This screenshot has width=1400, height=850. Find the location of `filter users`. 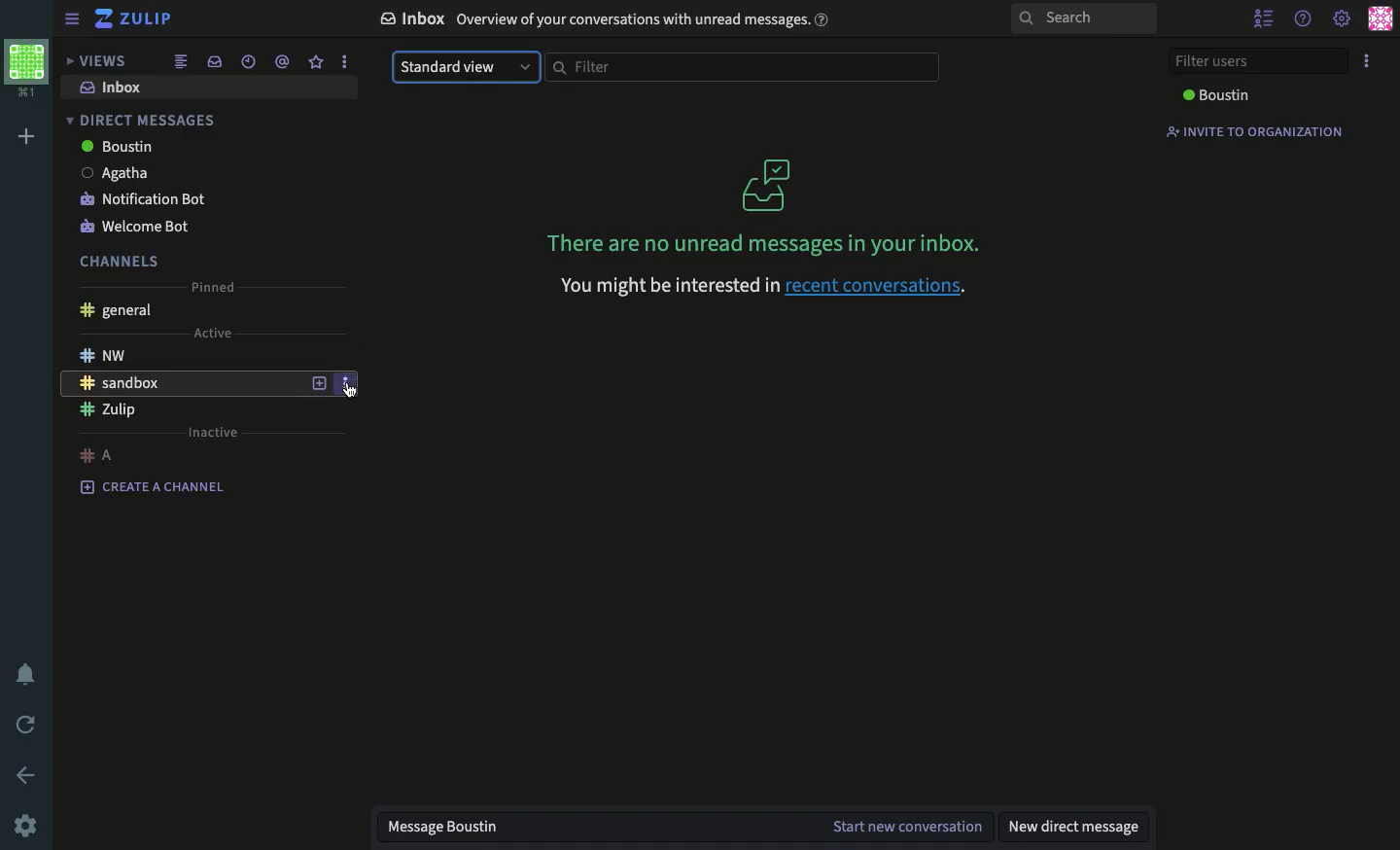

filter users is located at coordinates (1254, 60).